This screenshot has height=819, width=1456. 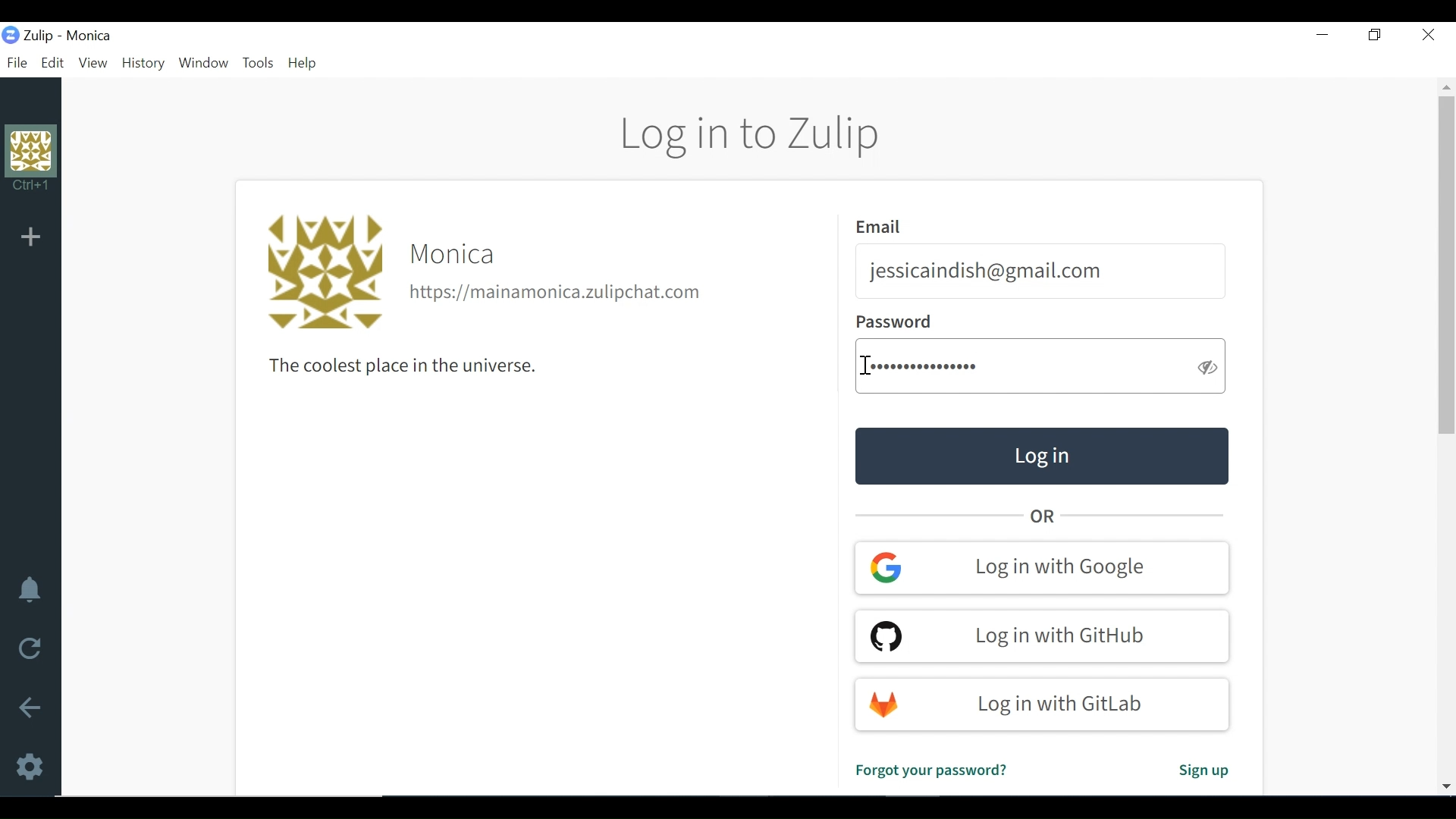 What do you see at coordinates (25, 649) in the screenshot?
I see `Reload` at bounding box center [25, 649].